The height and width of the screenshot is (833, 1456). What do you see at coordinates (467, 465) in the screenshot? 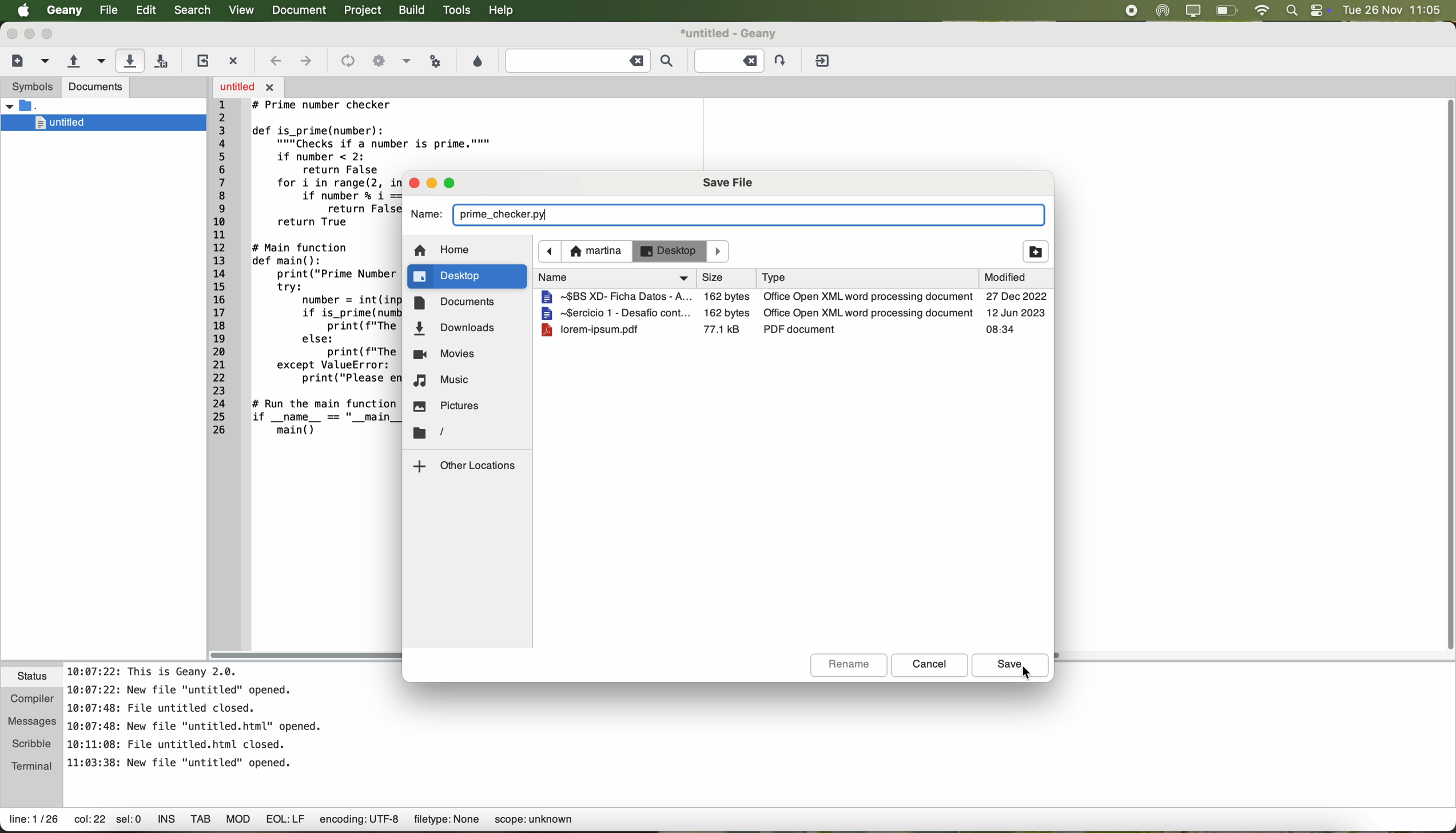
I see `other locations` at bounding box center [467, 465].